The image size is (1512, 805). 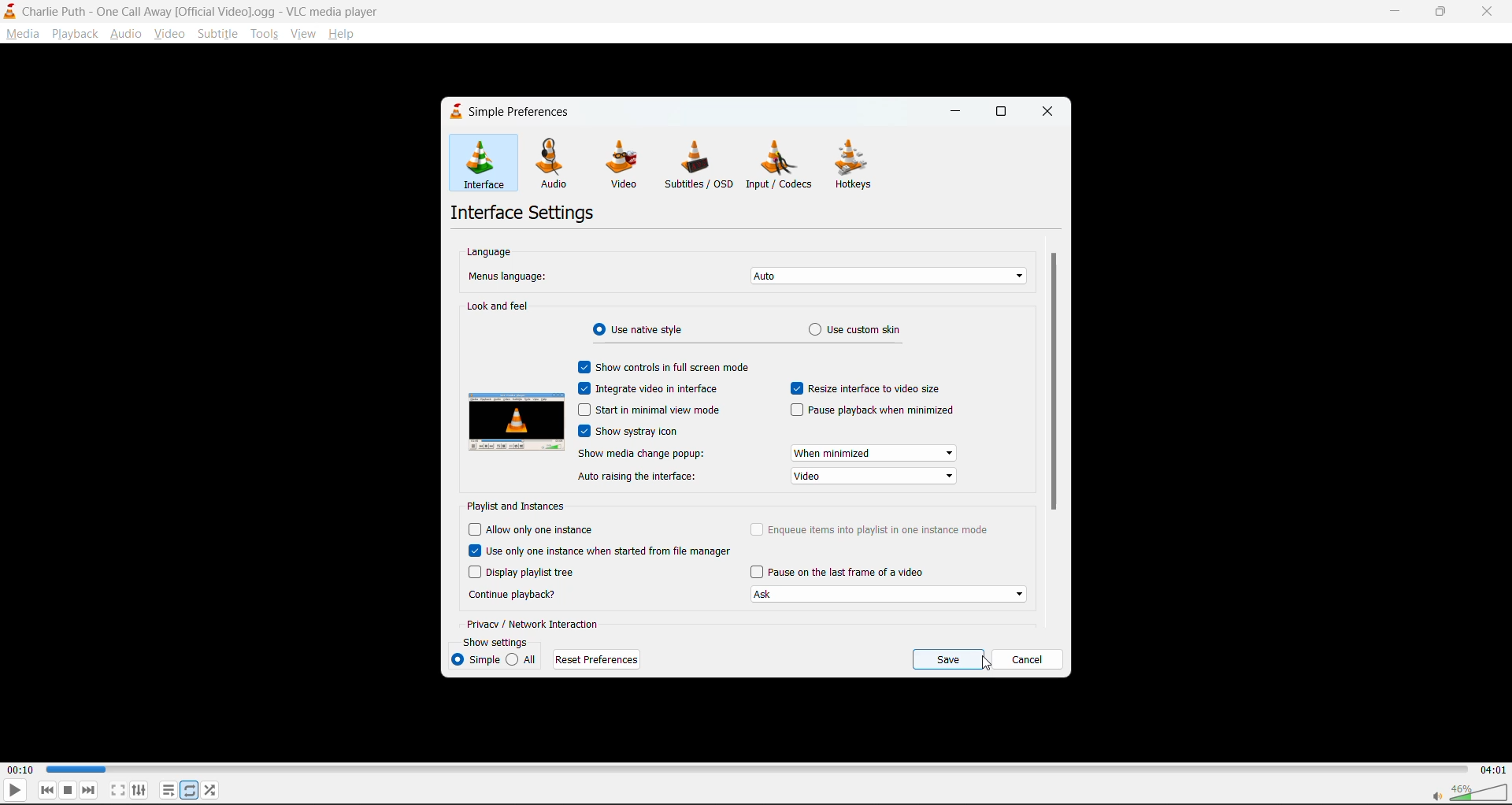 What do you see at coordinates (74, 35) in the screenshot?
I see `playback` at bounding box center [74, 35].